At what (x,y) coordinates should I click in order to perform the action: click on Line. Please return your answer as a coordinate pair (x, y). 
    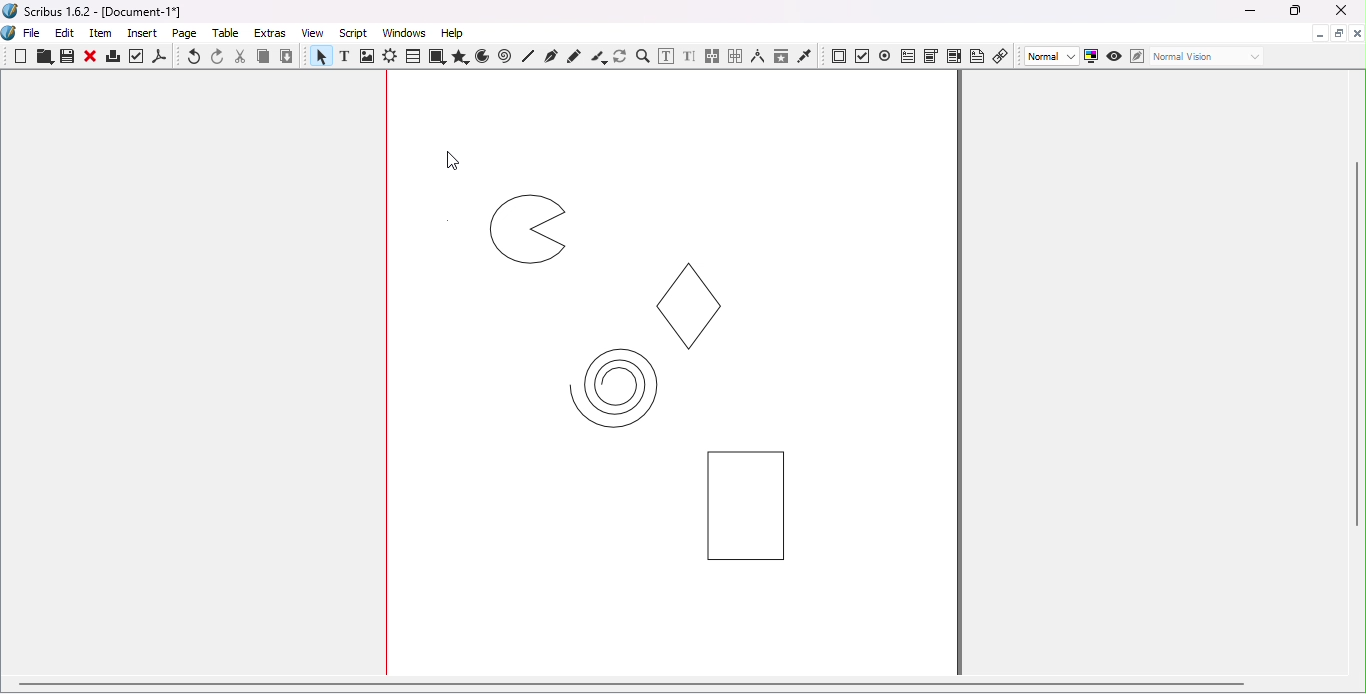
    Looking at the image, I should click on (529, 56).